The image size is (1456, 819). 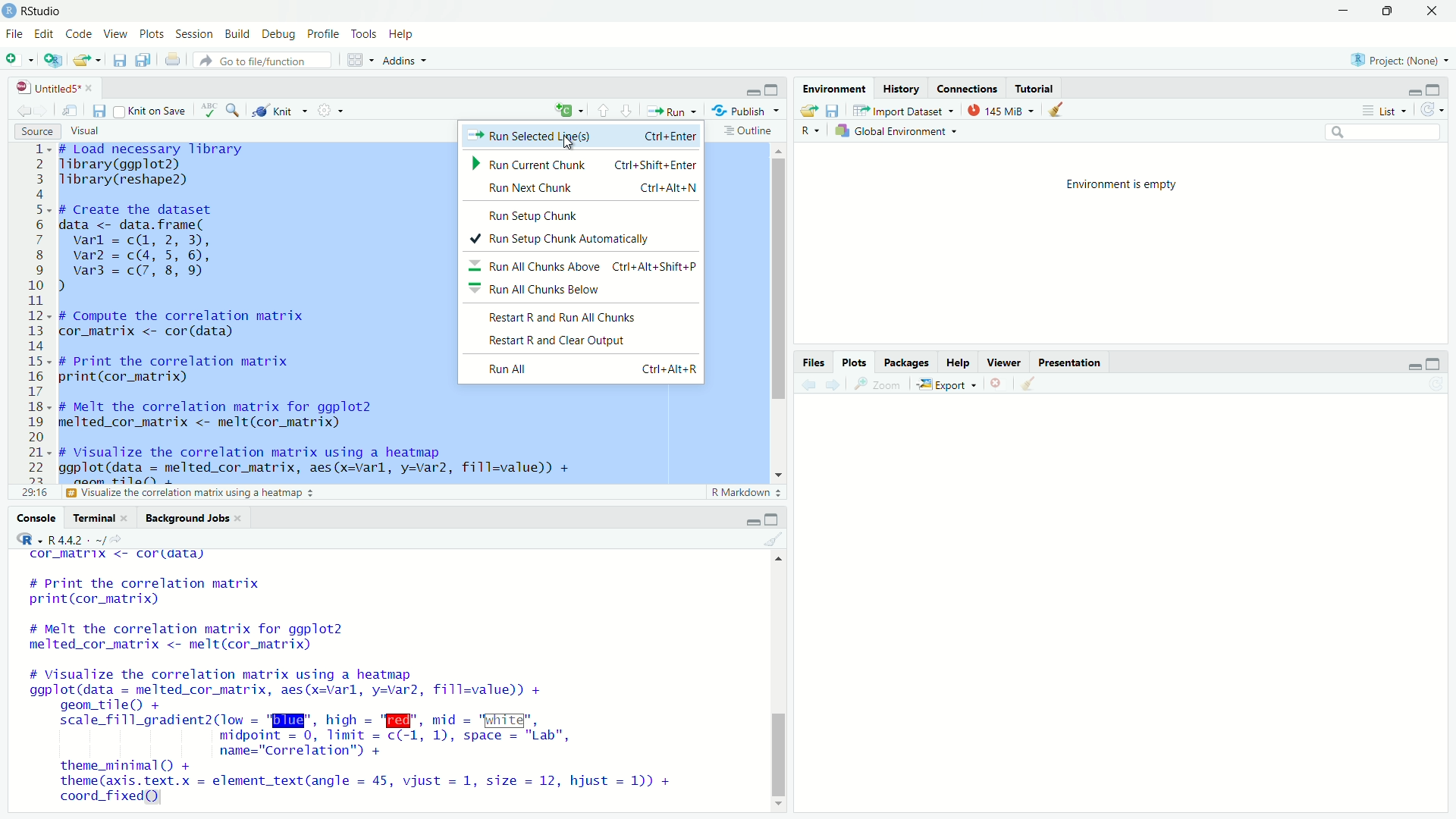 I want to click on cor_matrix <- cordidata)
# Print the correlation matrix
print(cor_matrix)
# Melt the correlation matrix for ggplot2
melted_cor_matrix <- melt(cor_matrix)
# Visualize the correlation matrix using a heatmap
ggplot(data = melted_cor_matrix, aes(x=varl, y=var2, fill=value)) +
geom_tile() +
scale_fill_gradient2(low = "BI", hich = "W@", mid = "White",
midpoint = 0, limit = c(-1, 1), space = "Lab",
name="Correlation") +
theme_minimal() +
theme (axis. text.x = element_text(angle = 45, vijust = 1, size = 12, hjust = 1)) +
coord_fixed), so click(x=370, y=679).